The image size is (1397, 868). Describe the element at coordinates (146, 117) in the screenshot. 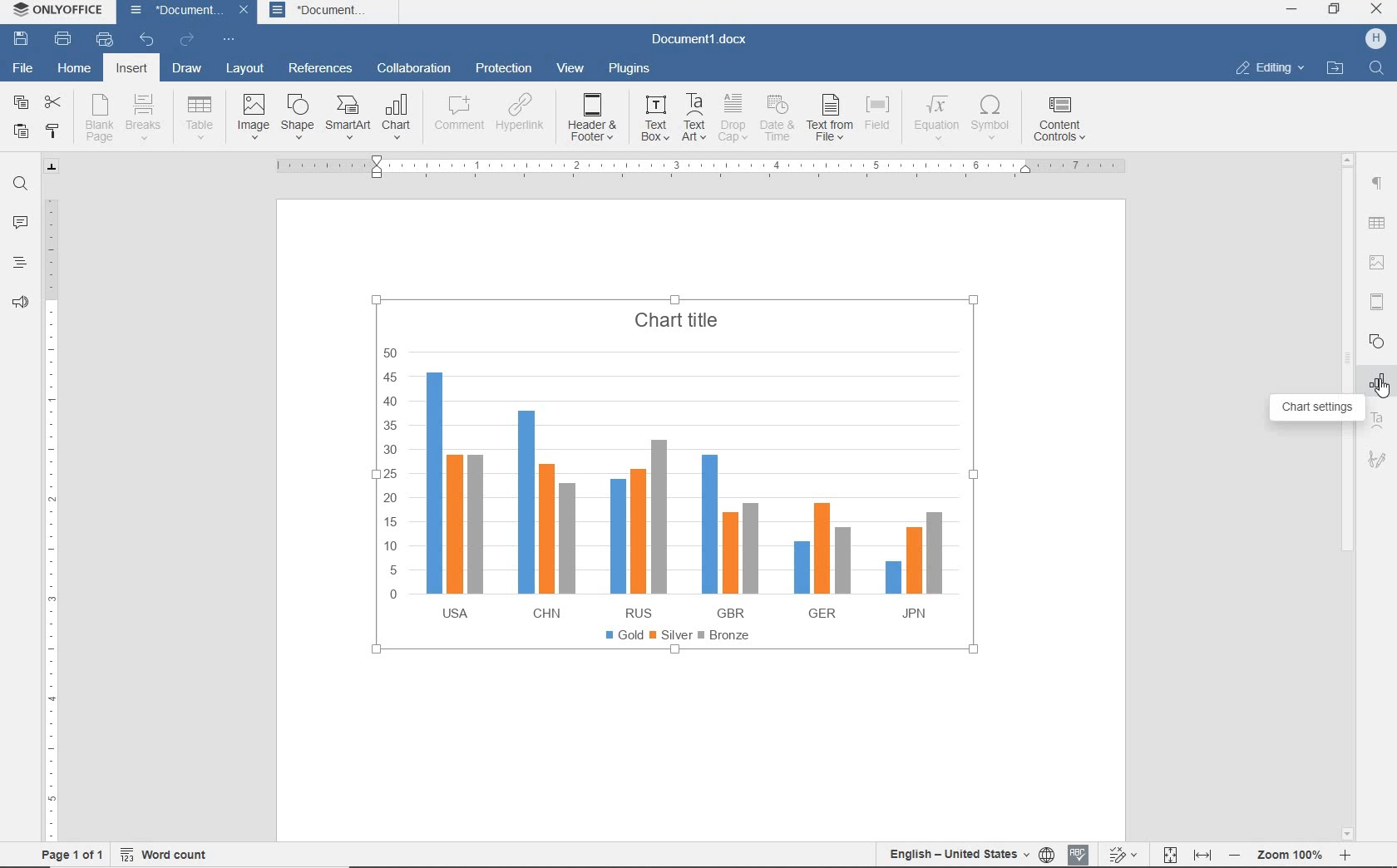

I see `breaks` at that location.